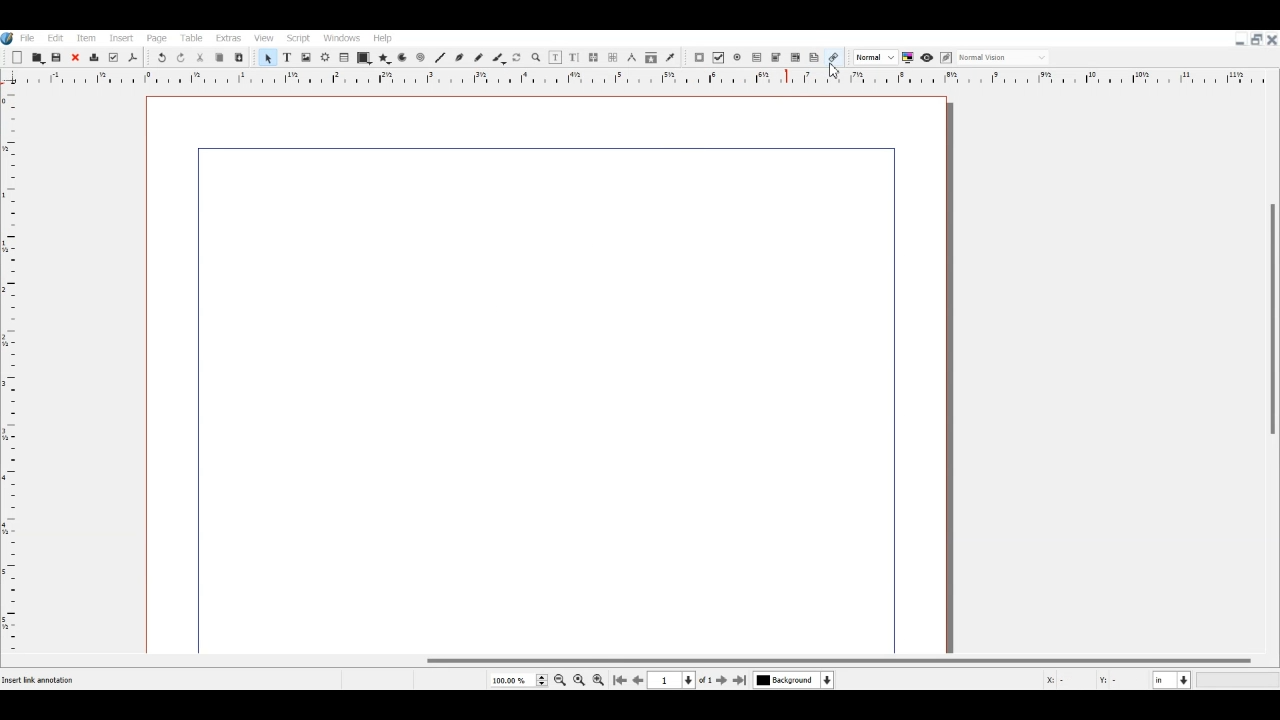  Describe the element at coordinates (157, 38) in the screenshot. I see `Page` at that location.